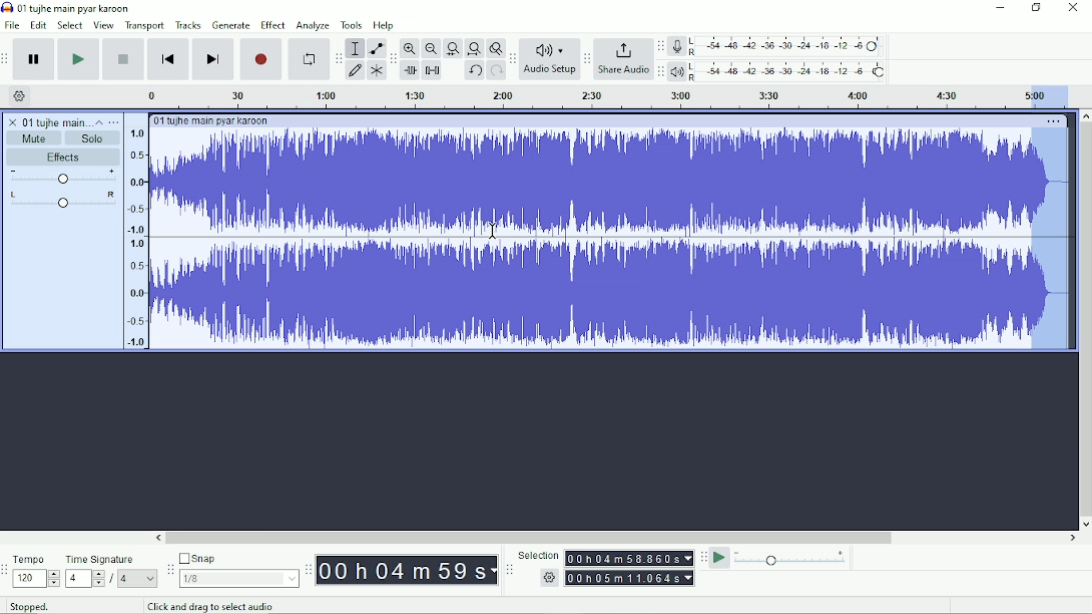 This screenshot has height=614, width=1092. What do you see at coordinates (170, 569) in the screenshot?
I see `Audacity snapping toolbar` at bounding box center [170, 569].